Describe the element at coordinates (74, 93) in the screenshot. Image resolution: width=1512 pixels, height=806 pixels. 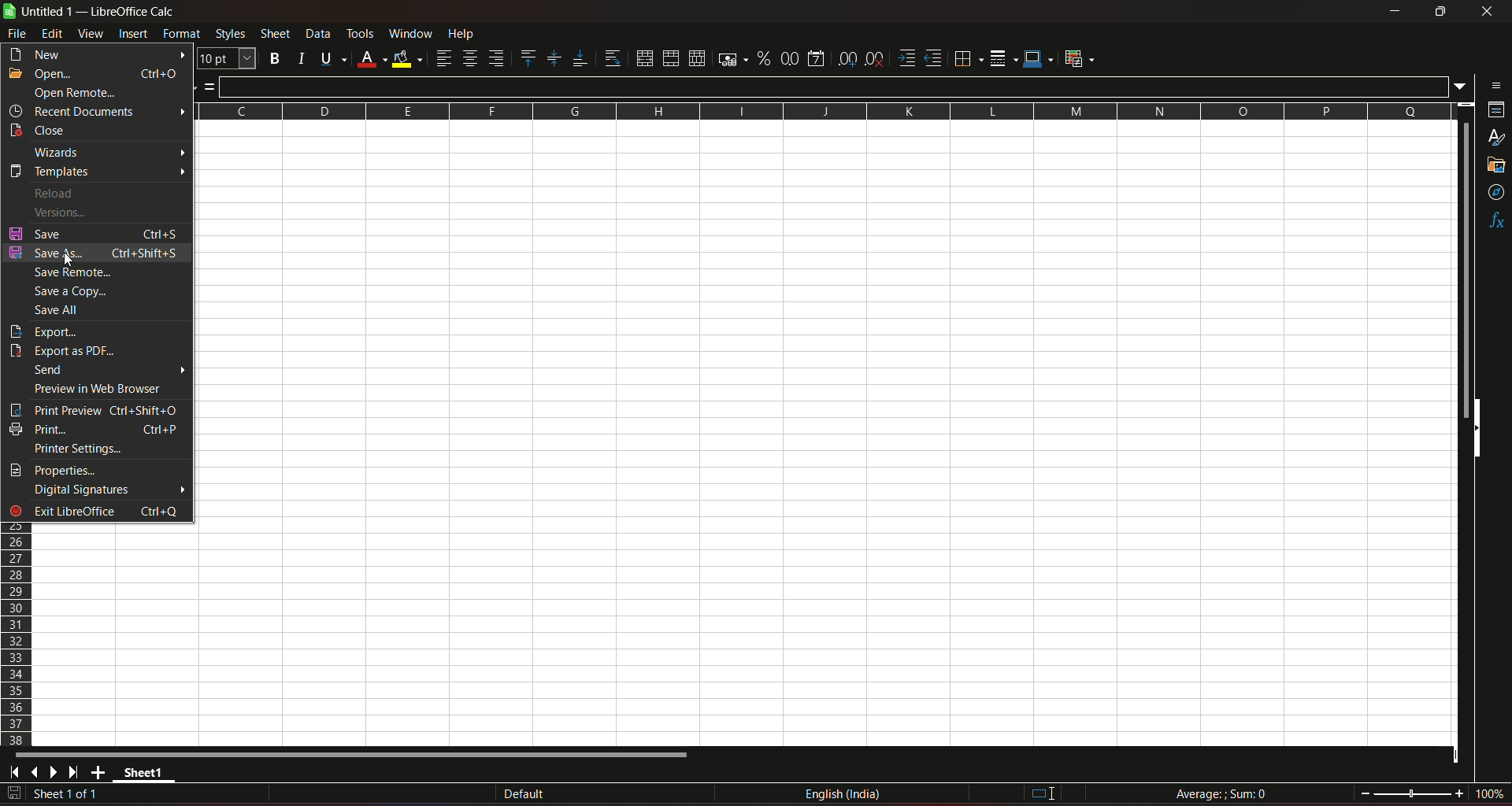
I see `open remote` at that location.